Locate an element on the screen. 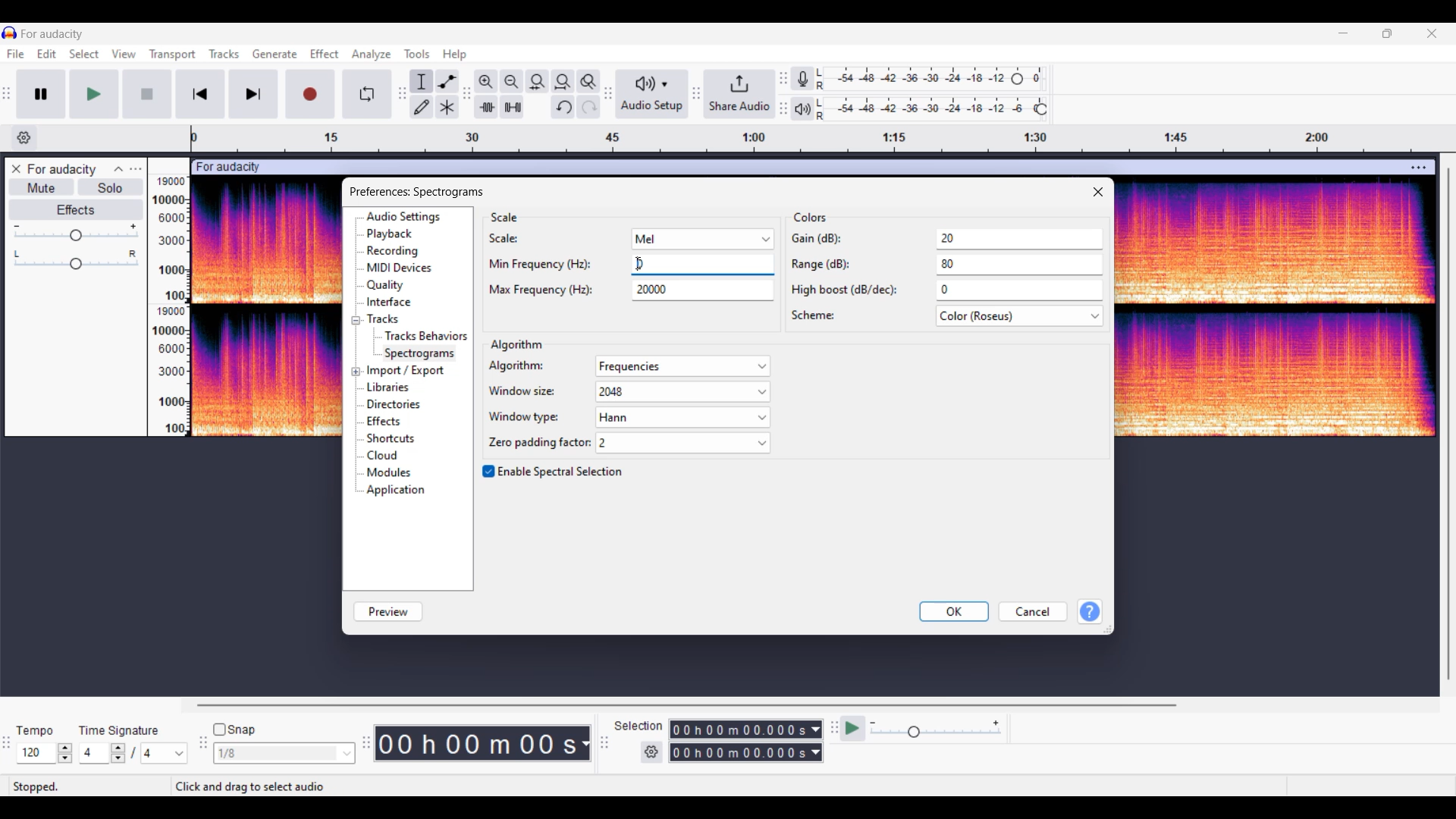 The image size is (1456, 819). OK is located at coordinates (954, 611).